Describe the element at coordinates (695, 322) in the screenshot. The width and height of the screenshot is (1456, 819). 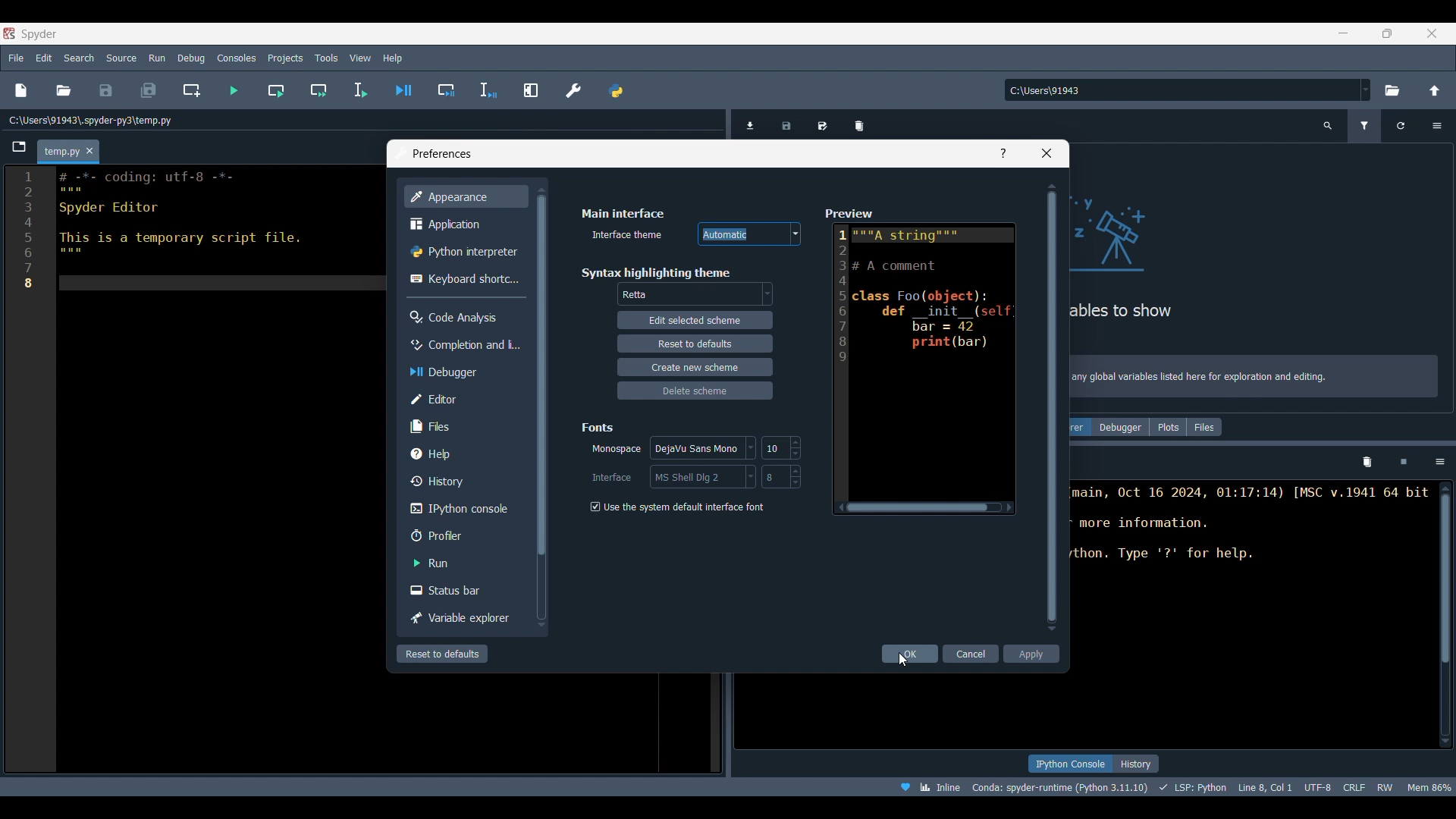
I see `edit selected theme` at that location.